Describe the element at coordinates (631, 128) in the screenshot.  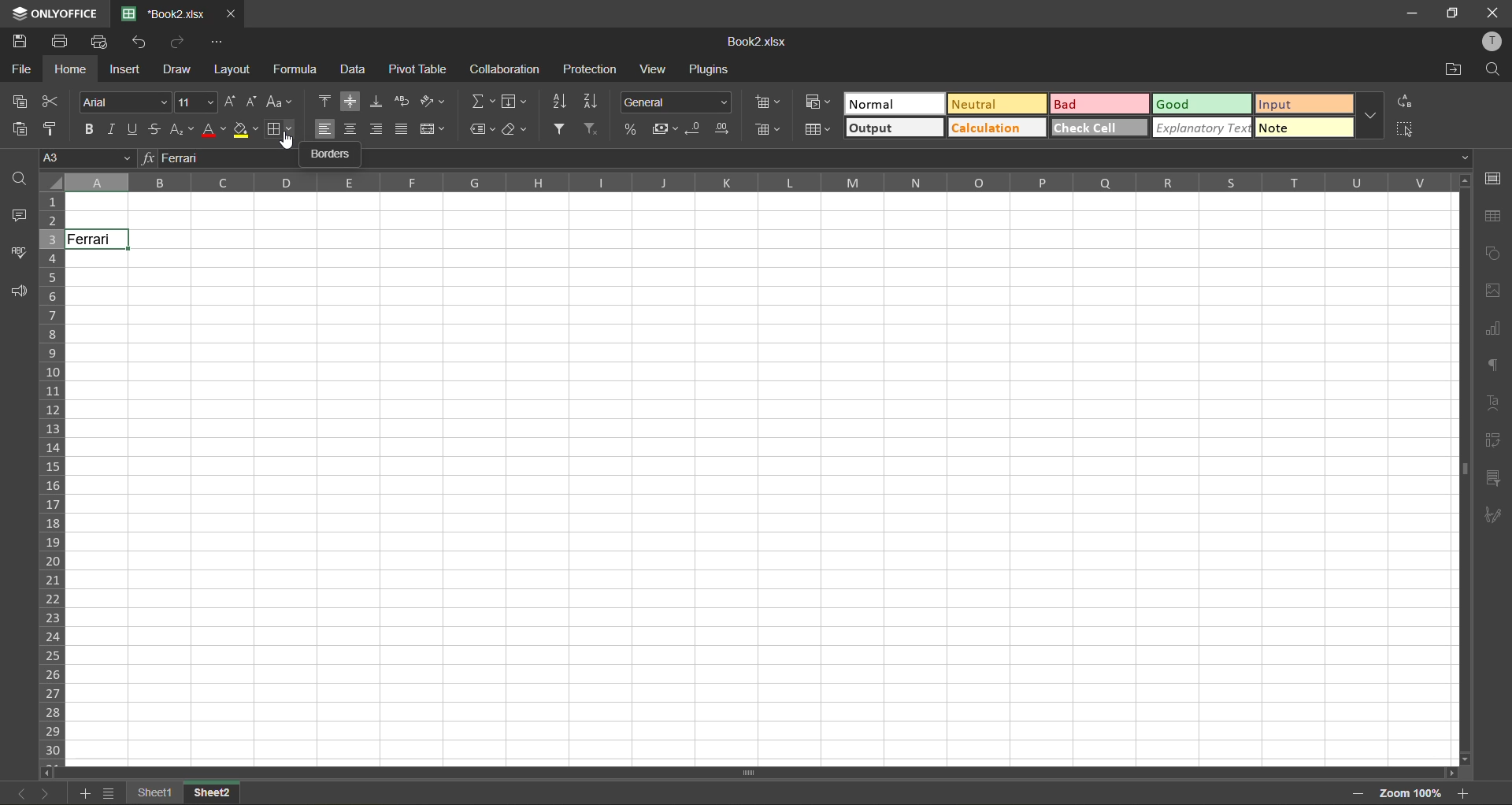
I see `percent` at that location.